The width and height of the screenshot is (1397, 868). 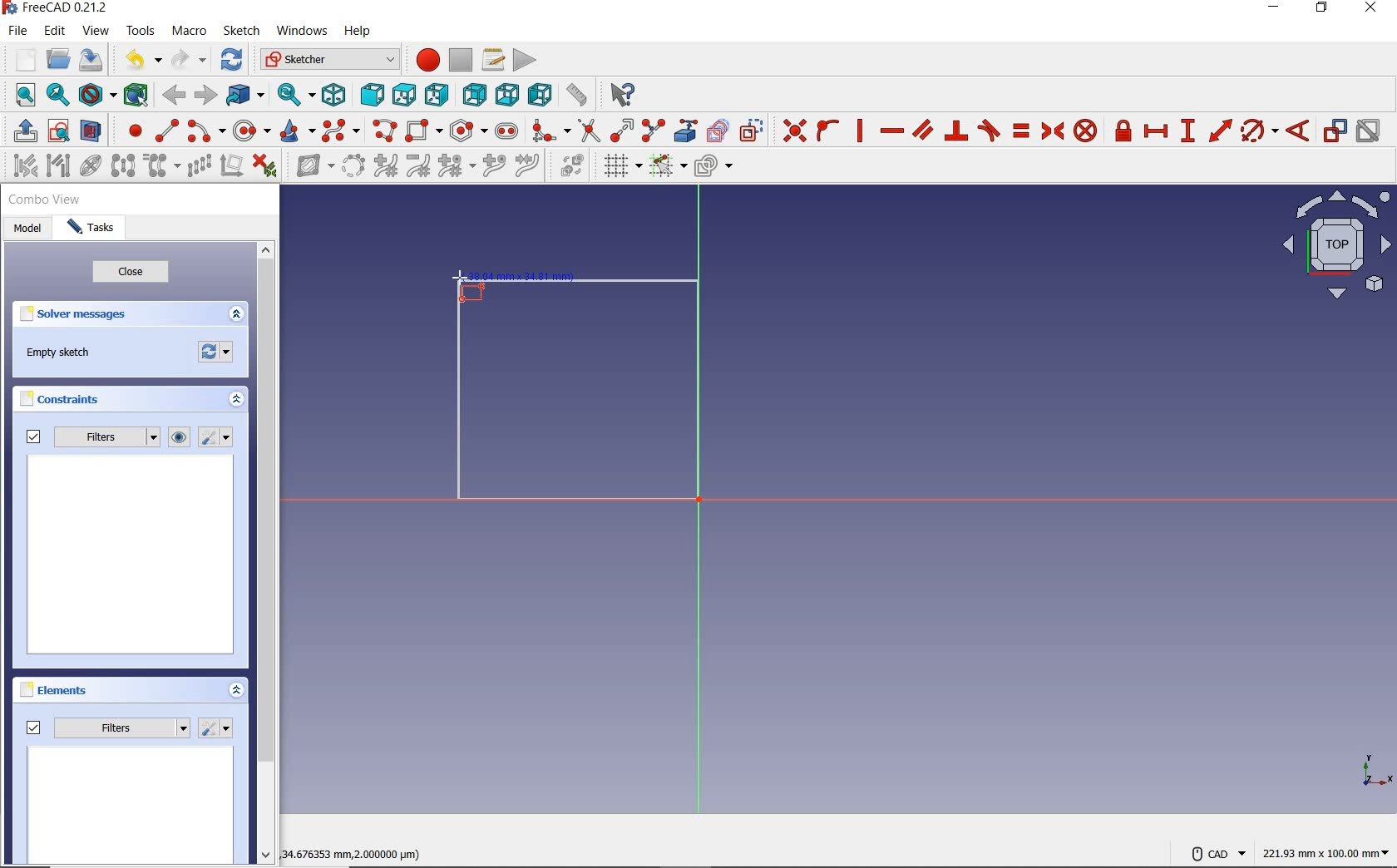 I want to click on go to linked object, so click(x=244, y=96).